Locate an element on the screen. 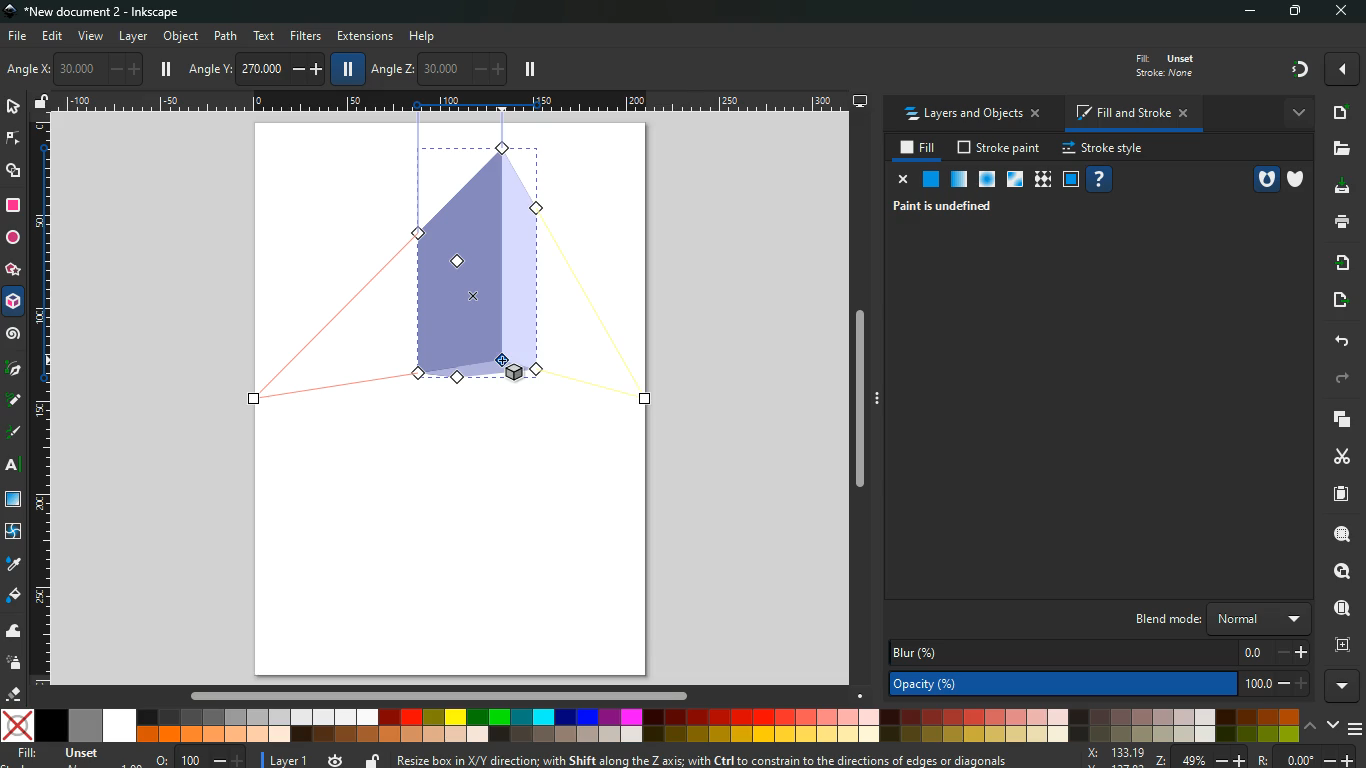  stroke paint is located at coordinates (1000, 149).